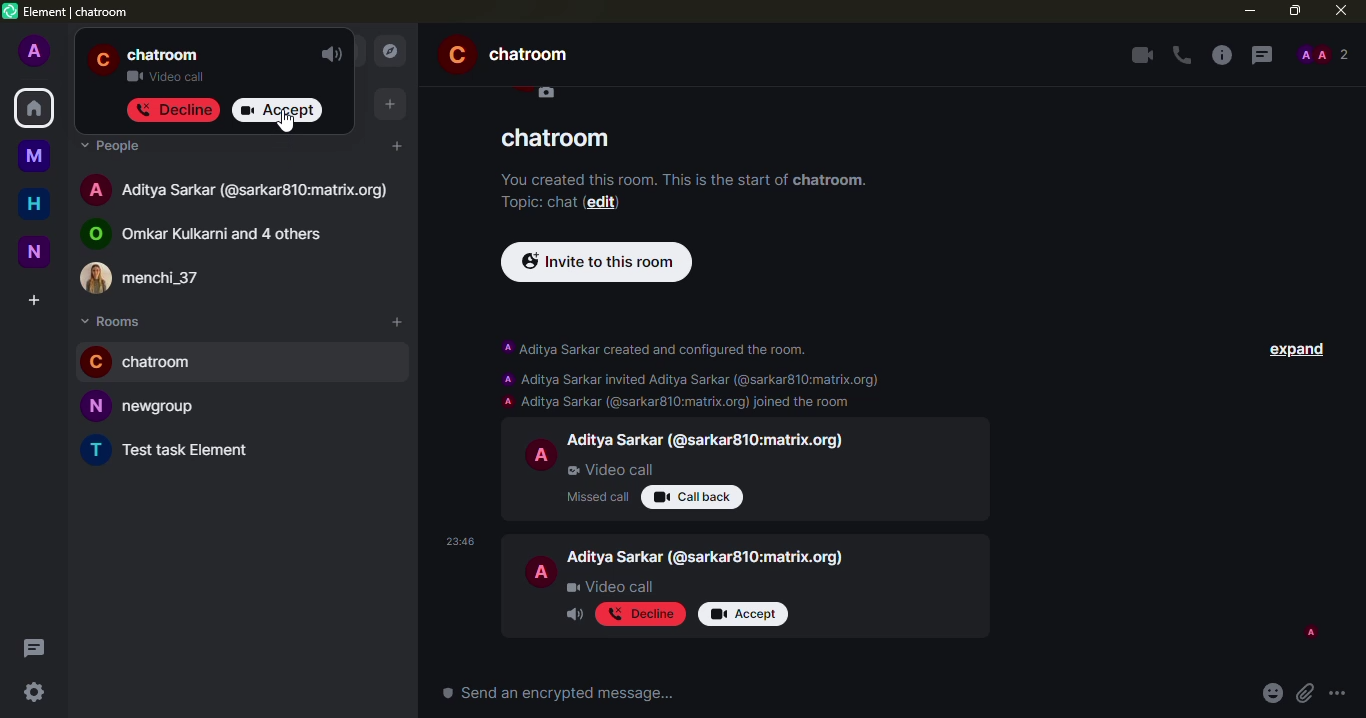  I want to click on add, so click(399, 323).